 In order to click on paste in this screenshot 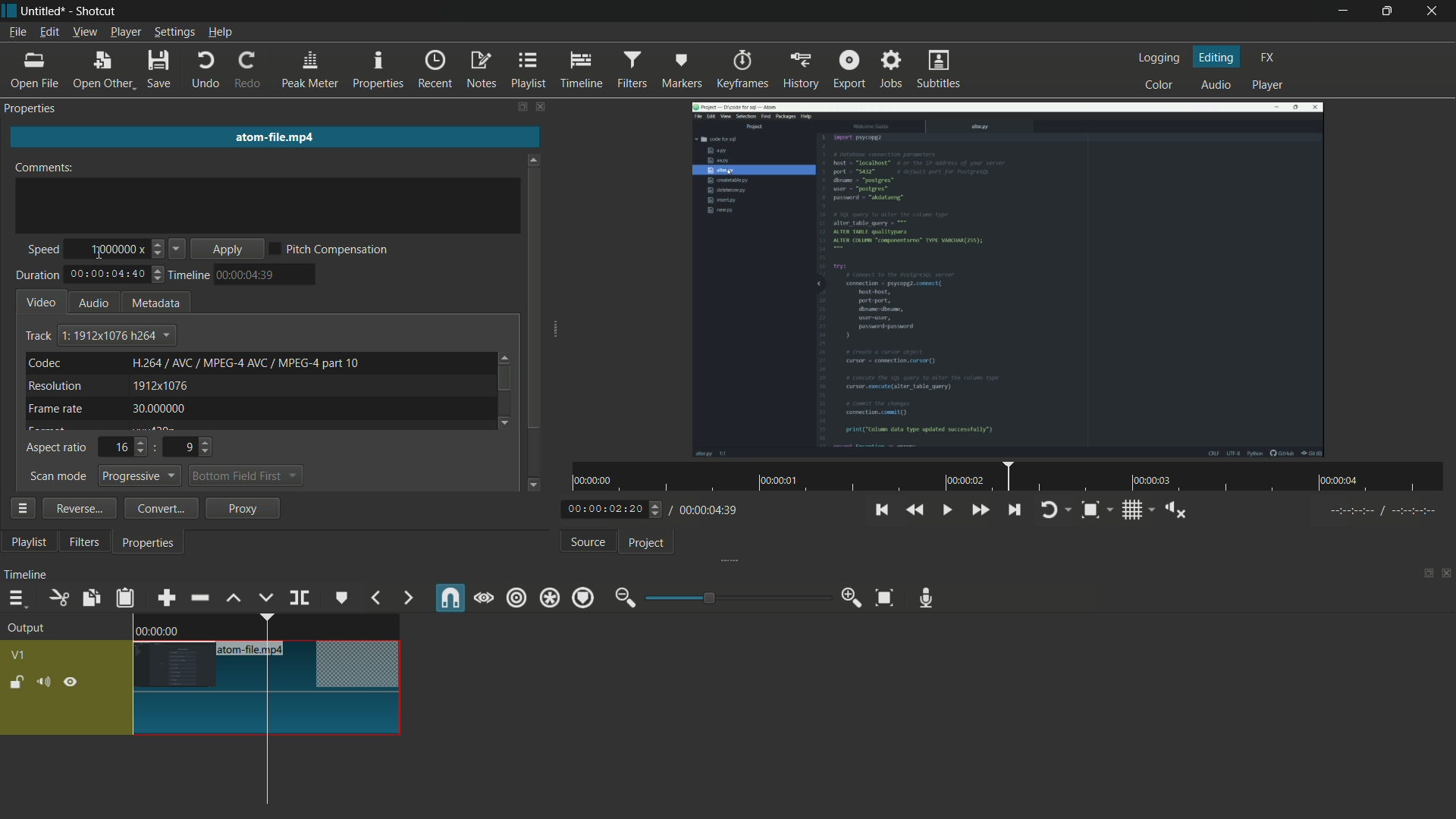, I will do `click(124, 598)`.